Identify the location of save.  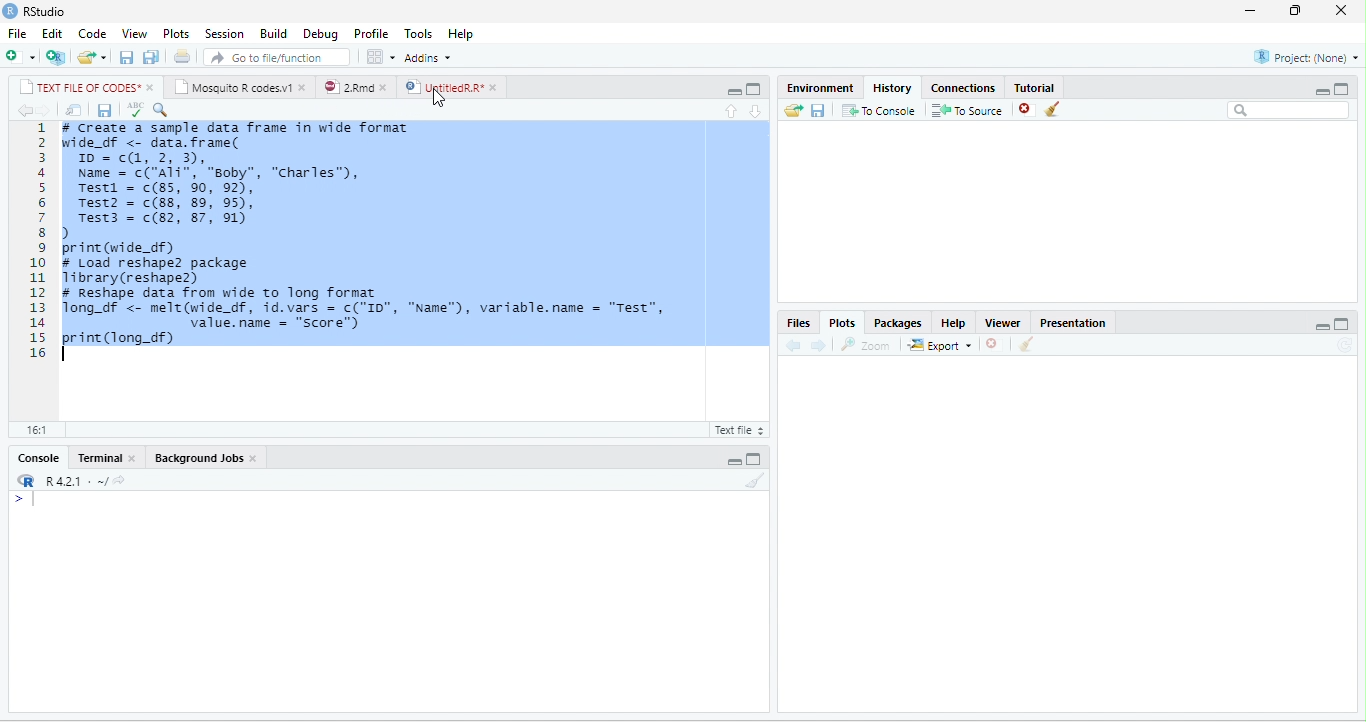
(819, 109).